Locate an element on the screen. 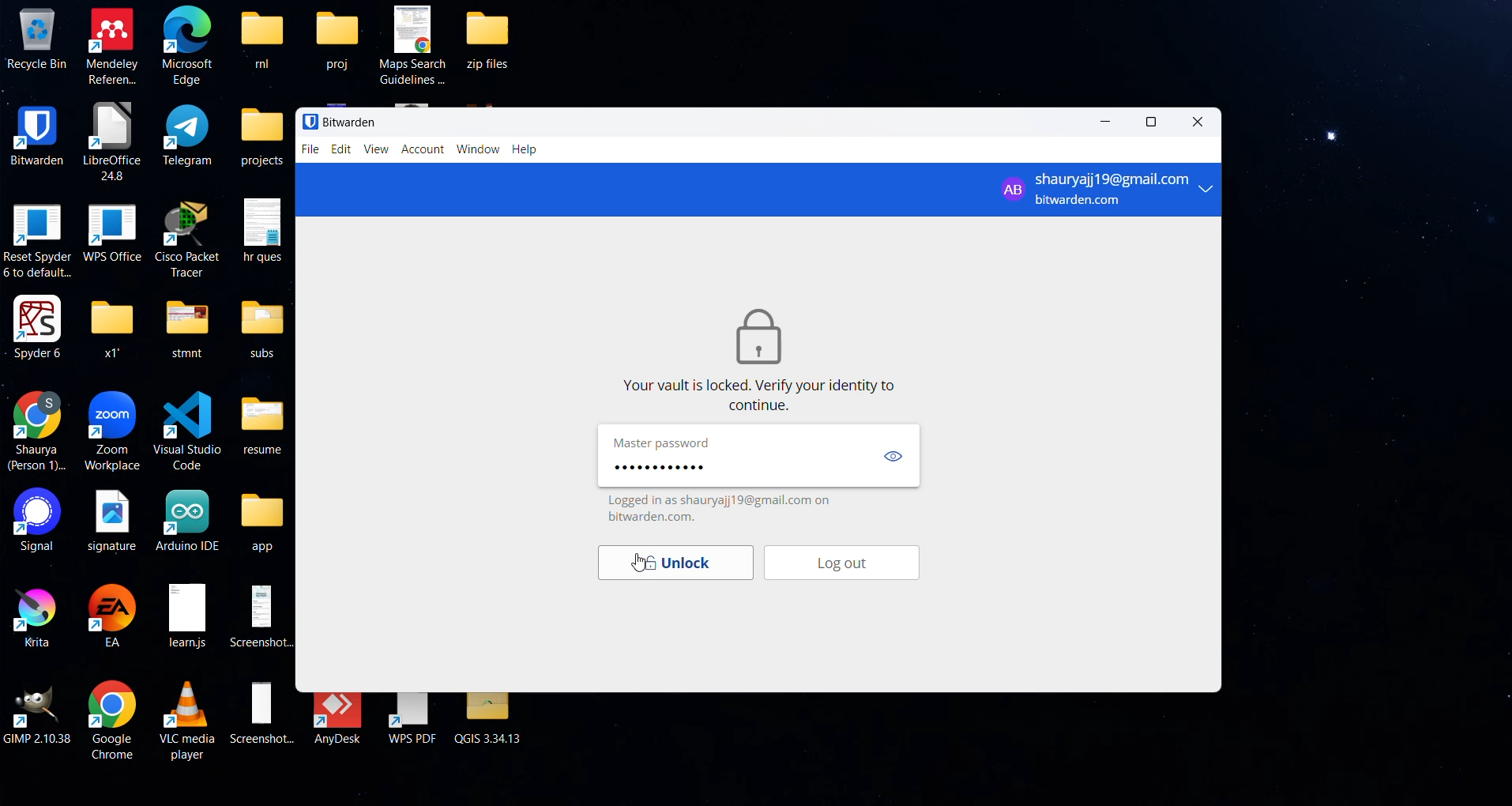 Image resolution: width=1512 pixels, height=806 pixels. Telegram is located at coordinates (189, 134).